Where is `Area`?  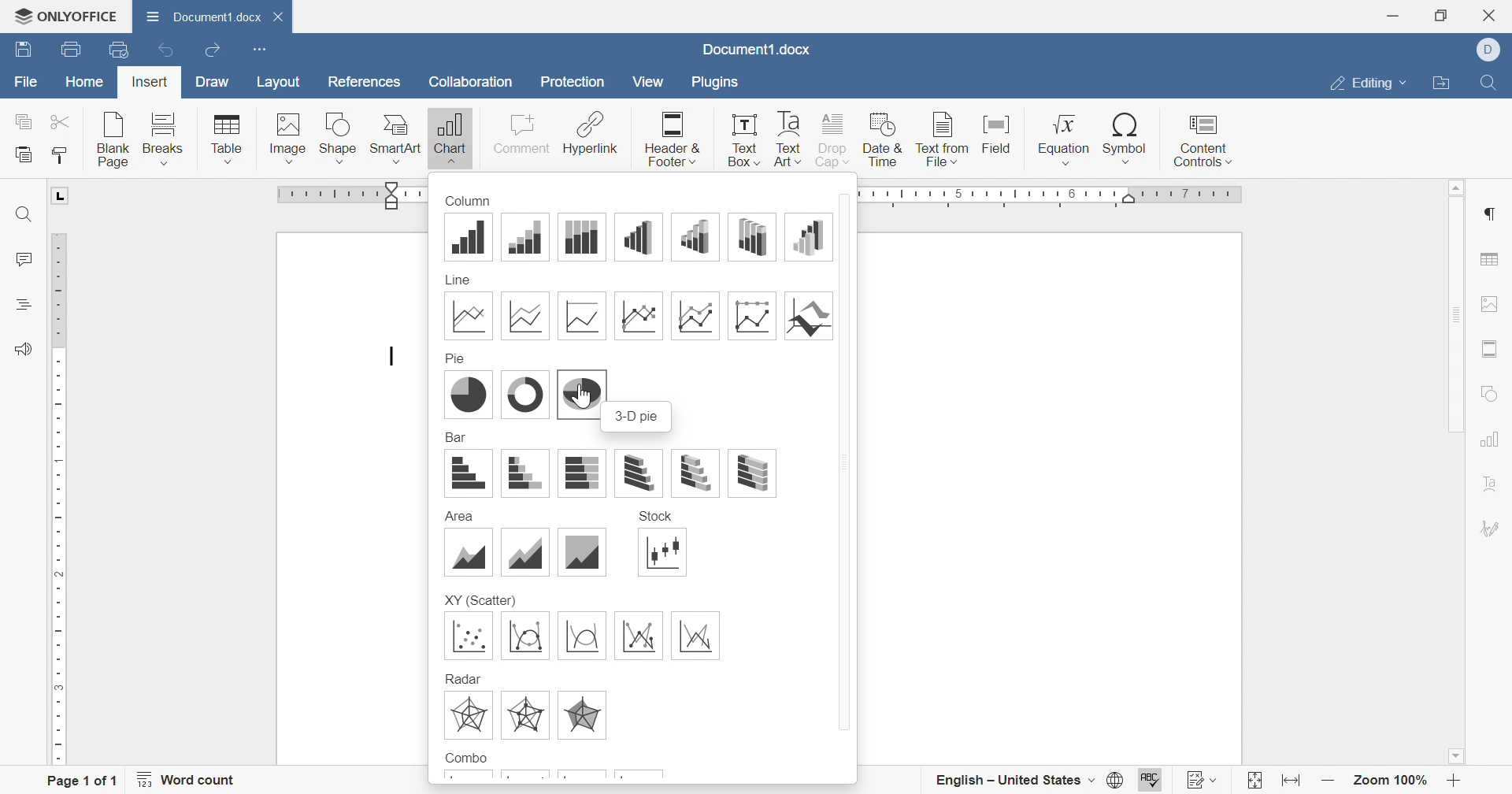 Area is located at coordinates (458, 518).